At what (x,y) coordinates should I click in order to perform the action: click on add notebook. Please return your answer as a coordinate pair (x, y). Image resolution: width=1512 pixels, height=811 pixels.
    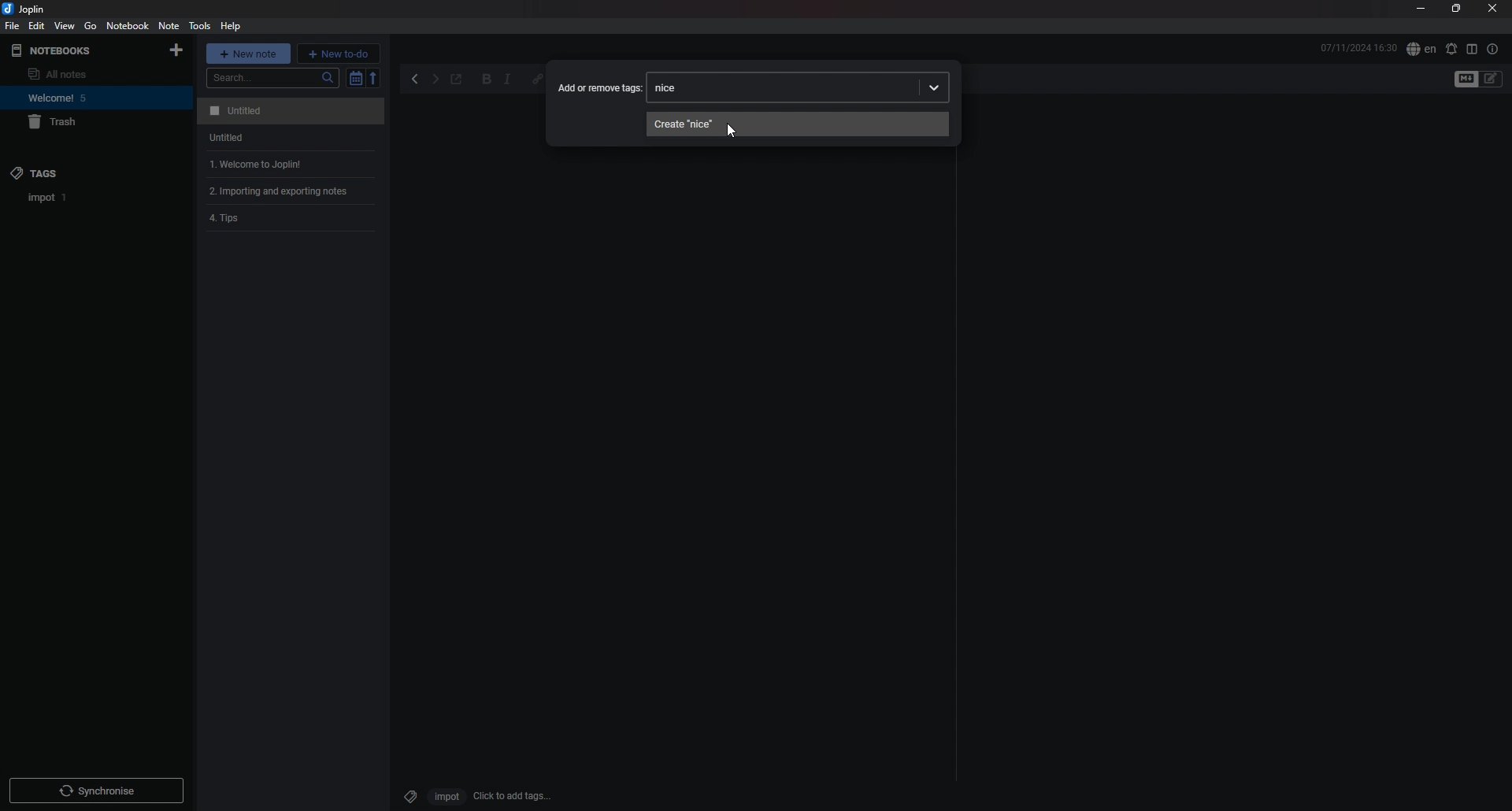
    Looking at the image, I should click on (176, 50).